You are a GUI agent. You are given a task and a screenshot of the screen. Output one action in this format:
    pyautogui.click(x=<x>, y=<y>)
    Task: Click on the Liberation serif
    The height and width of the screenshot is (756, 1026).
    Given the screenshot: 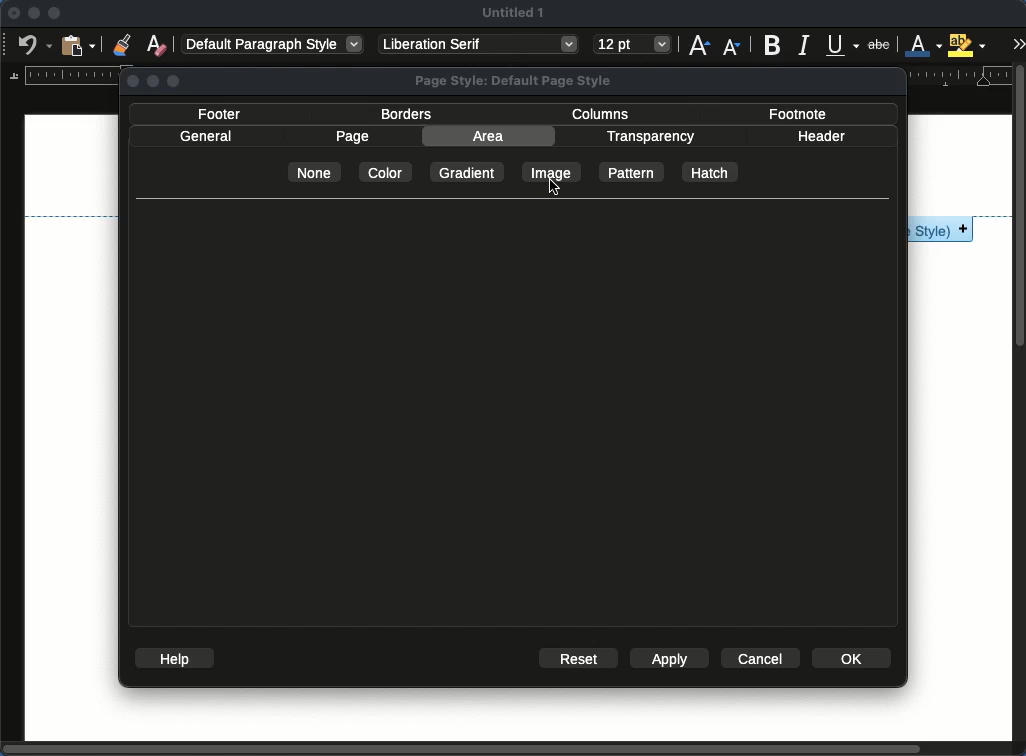 What is the action you would take?
    pyautogui.click(x=480, y=45)
    